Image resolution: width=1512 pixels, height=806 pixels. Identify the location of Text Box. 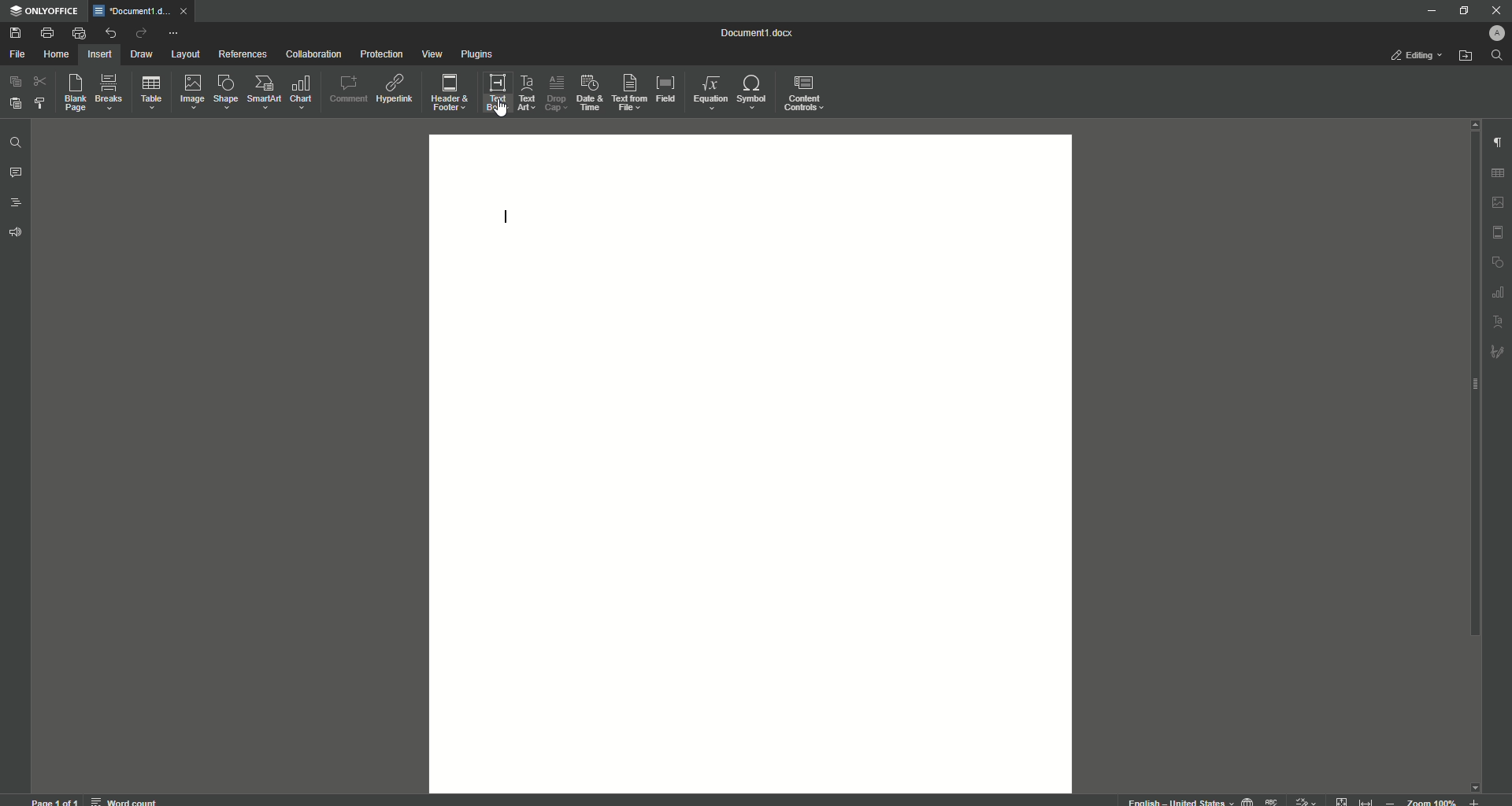
(492, 92).